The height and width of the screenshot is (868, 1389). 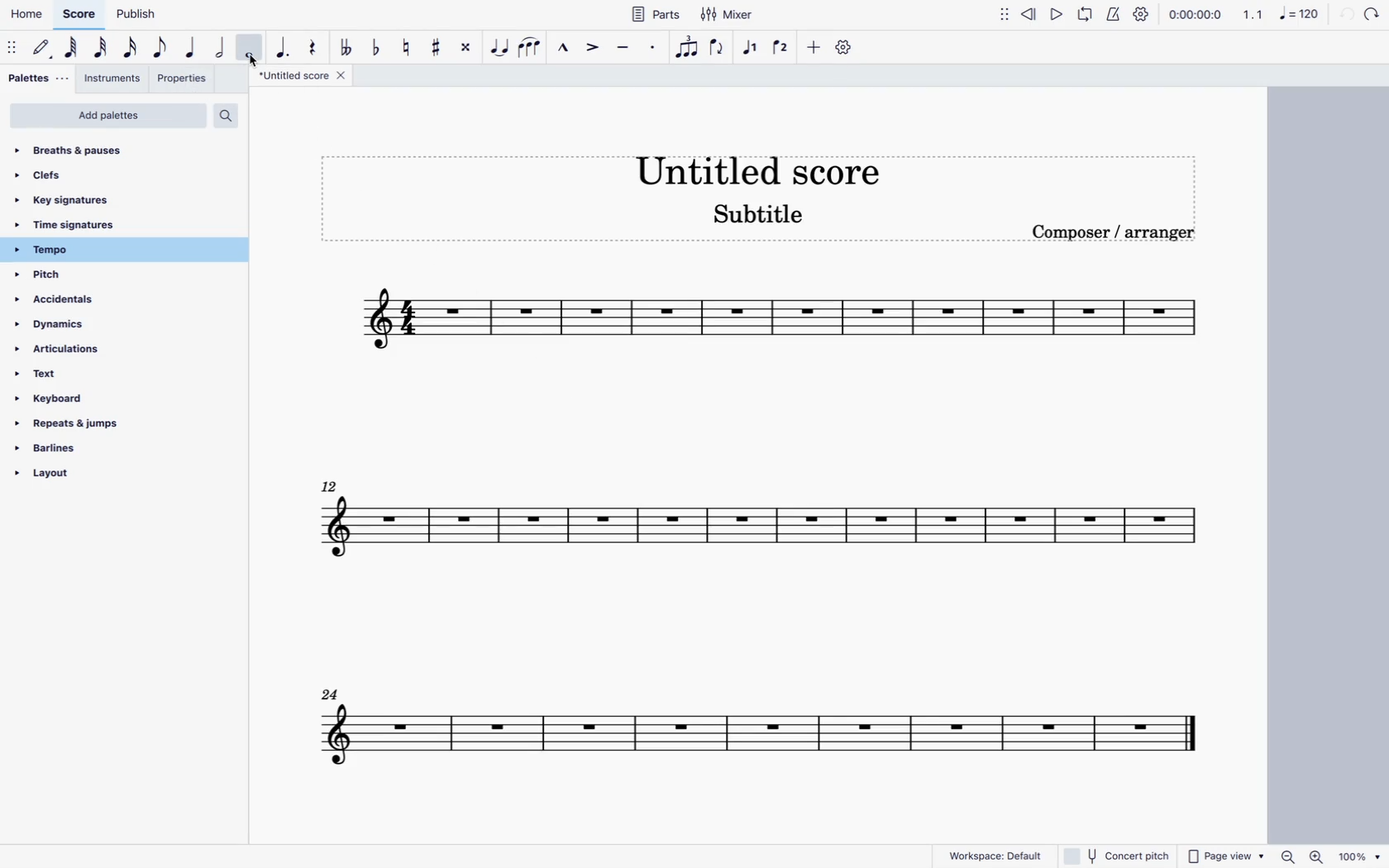 What do you see at coordinates (98, 47) in the screenshot?
I see `32nd note` at bounding box center [98, 47].